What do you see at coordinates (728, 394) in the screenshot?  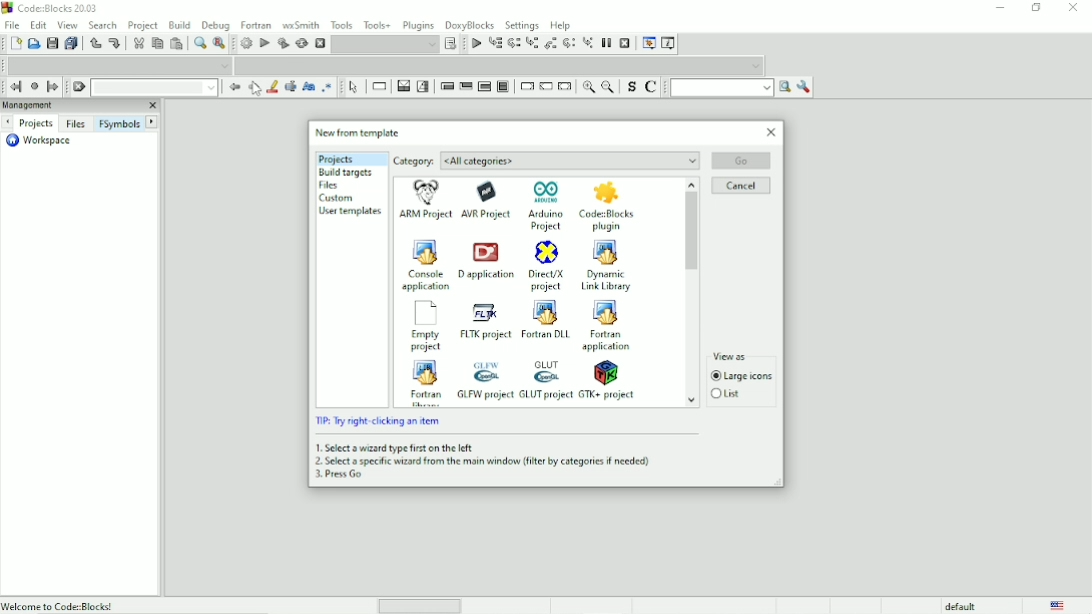 I see `List` at bounding box center [728, 394].